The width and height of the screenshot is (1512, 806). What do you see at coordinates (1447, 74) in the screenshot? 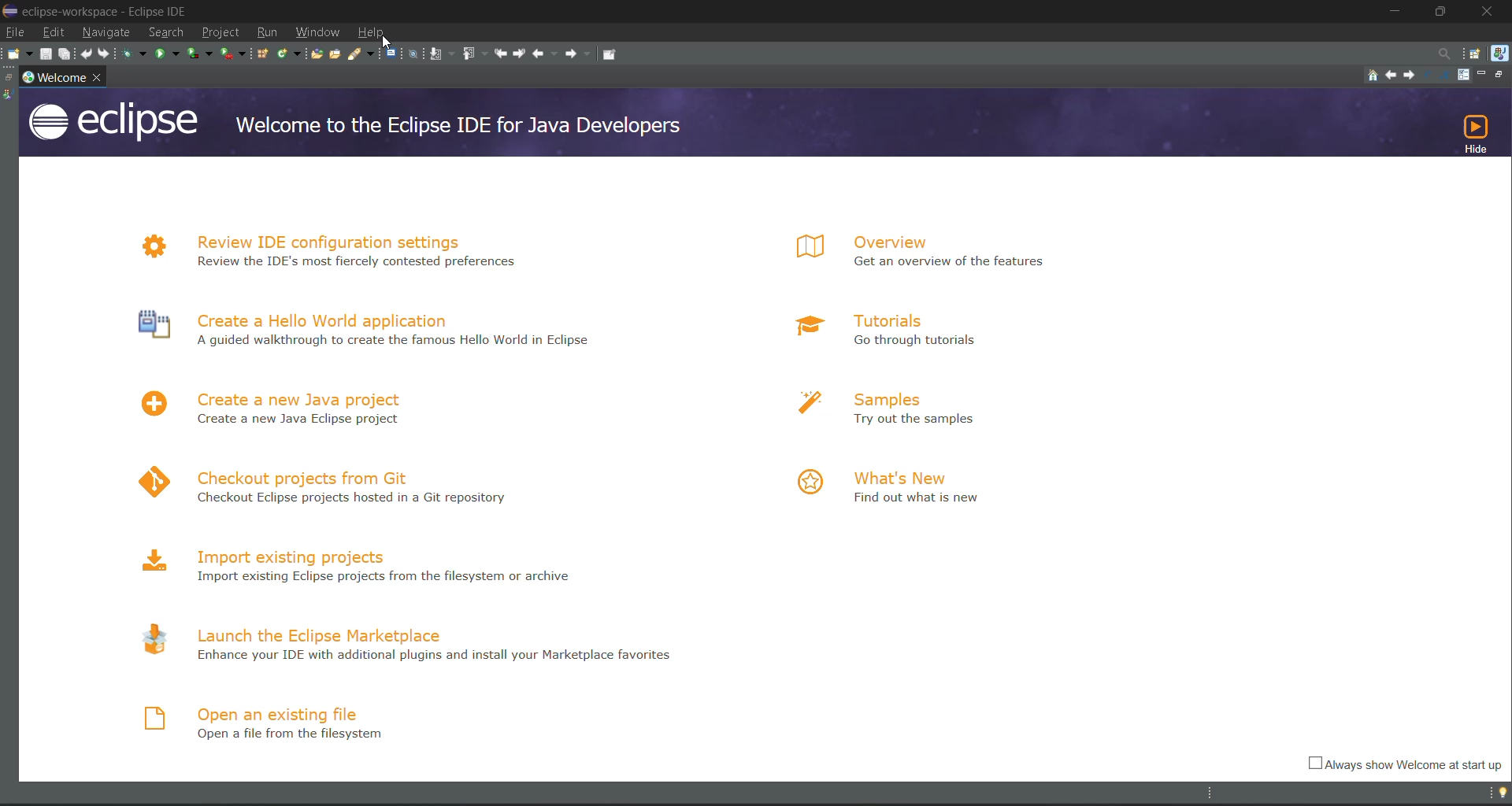
I see `magnify` at bounding box center [1447, 74].